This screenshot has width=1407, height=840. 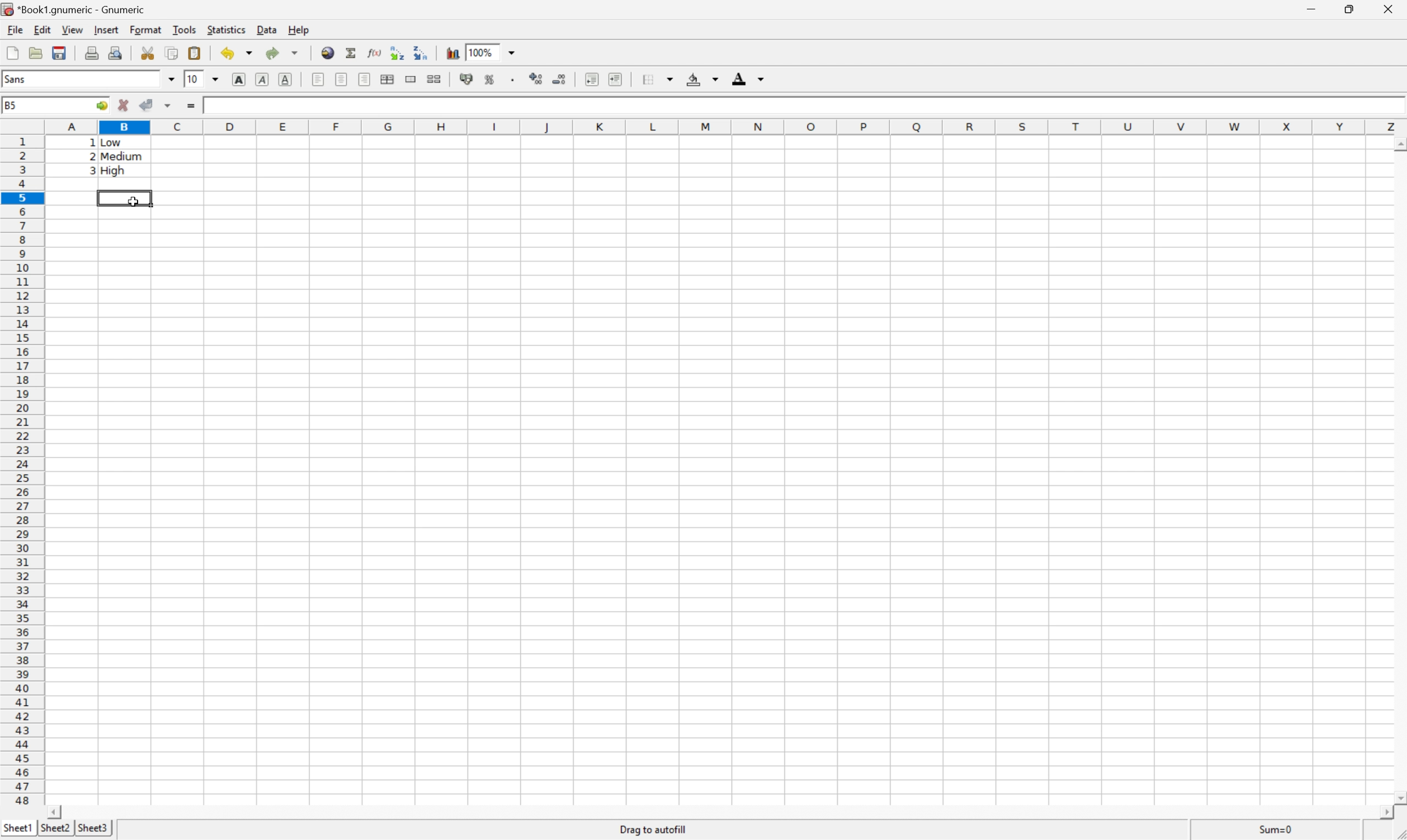 What do you see at coordinates (190, 106) in the screenshot?
I see `Enter formula` at bounding box center [190, 106].